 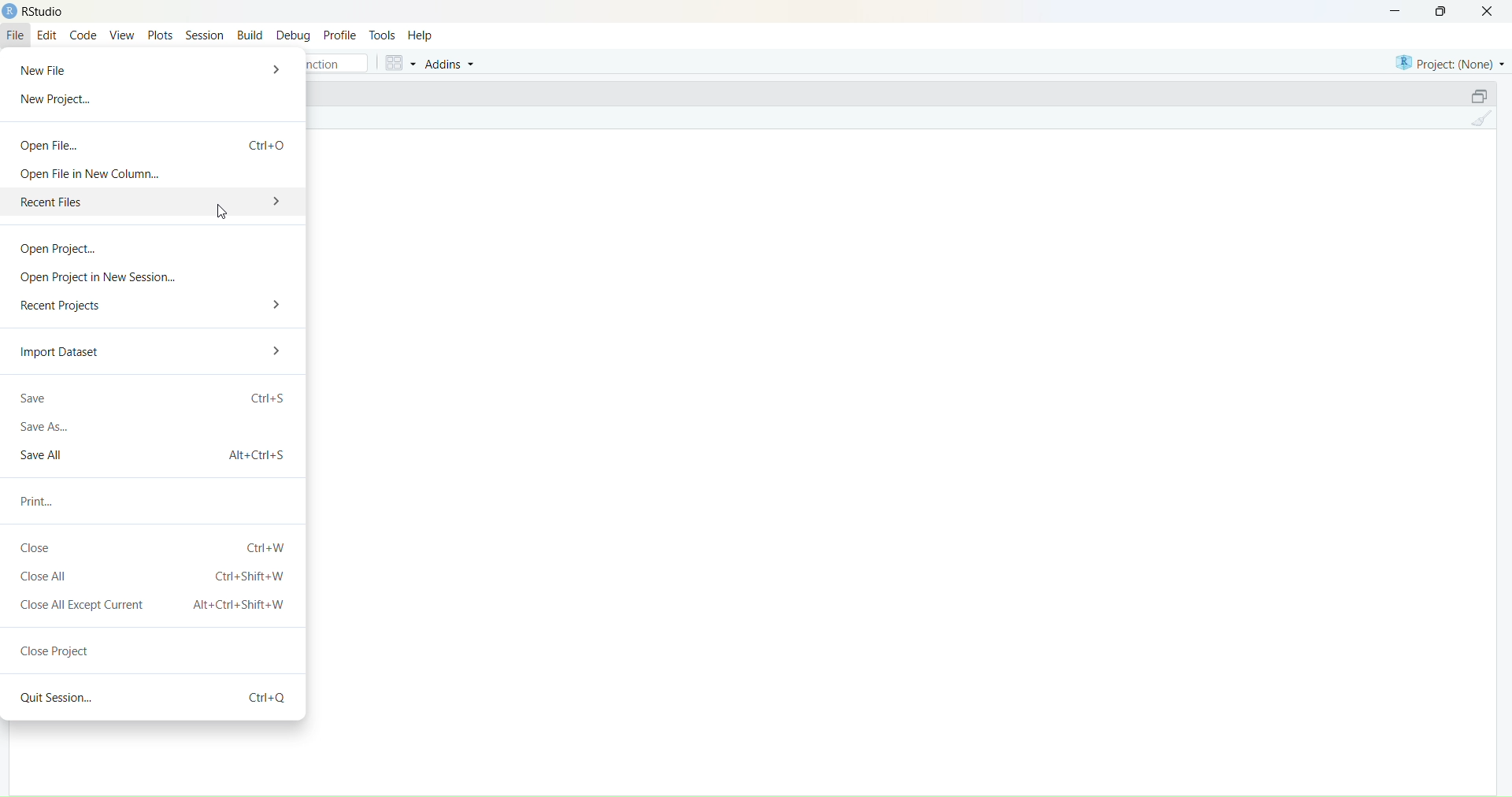 I want to click on Code, so click(x=84, y=36).